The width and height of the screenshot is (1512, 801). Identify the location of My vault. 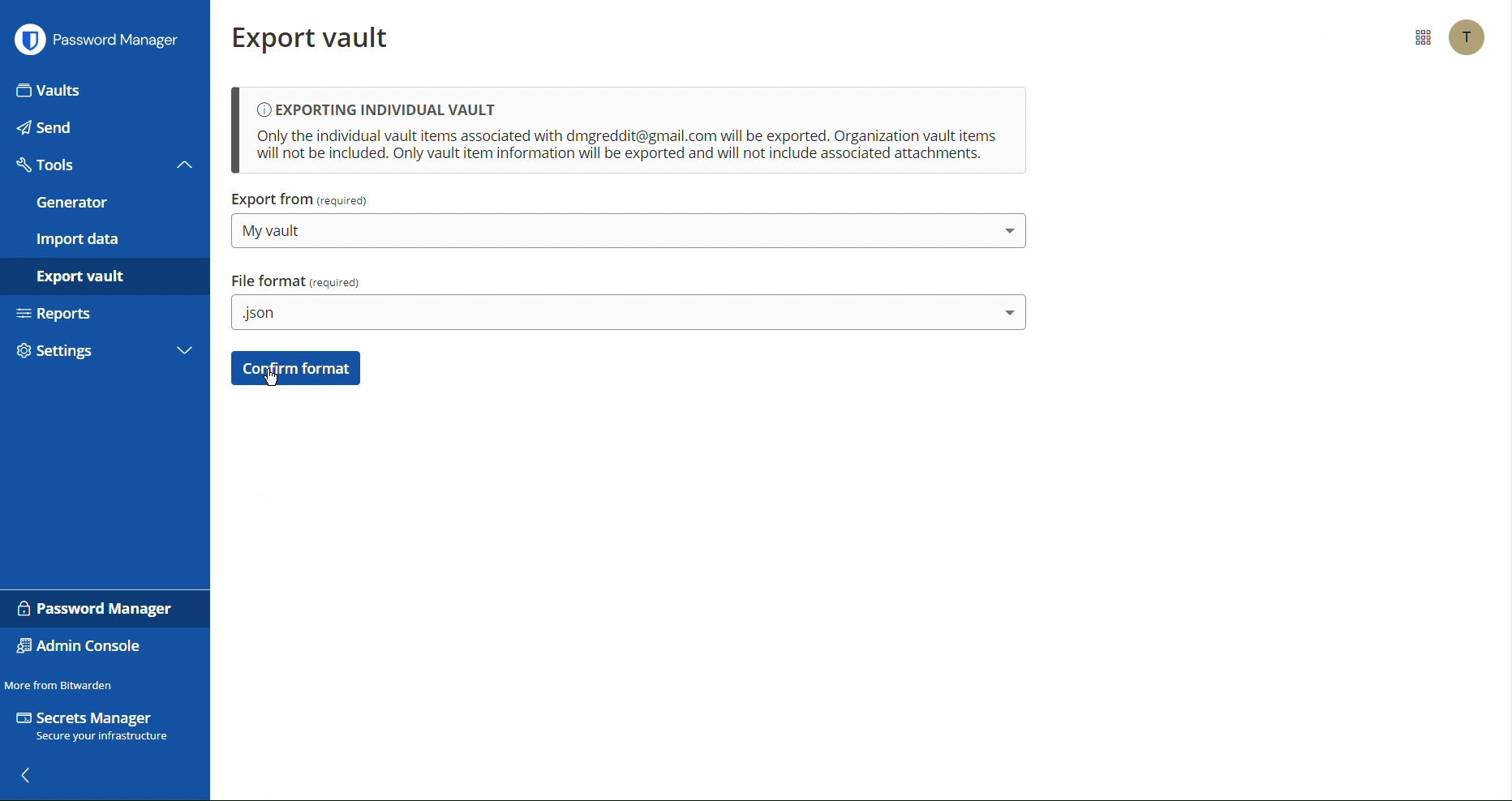
(625, 231).